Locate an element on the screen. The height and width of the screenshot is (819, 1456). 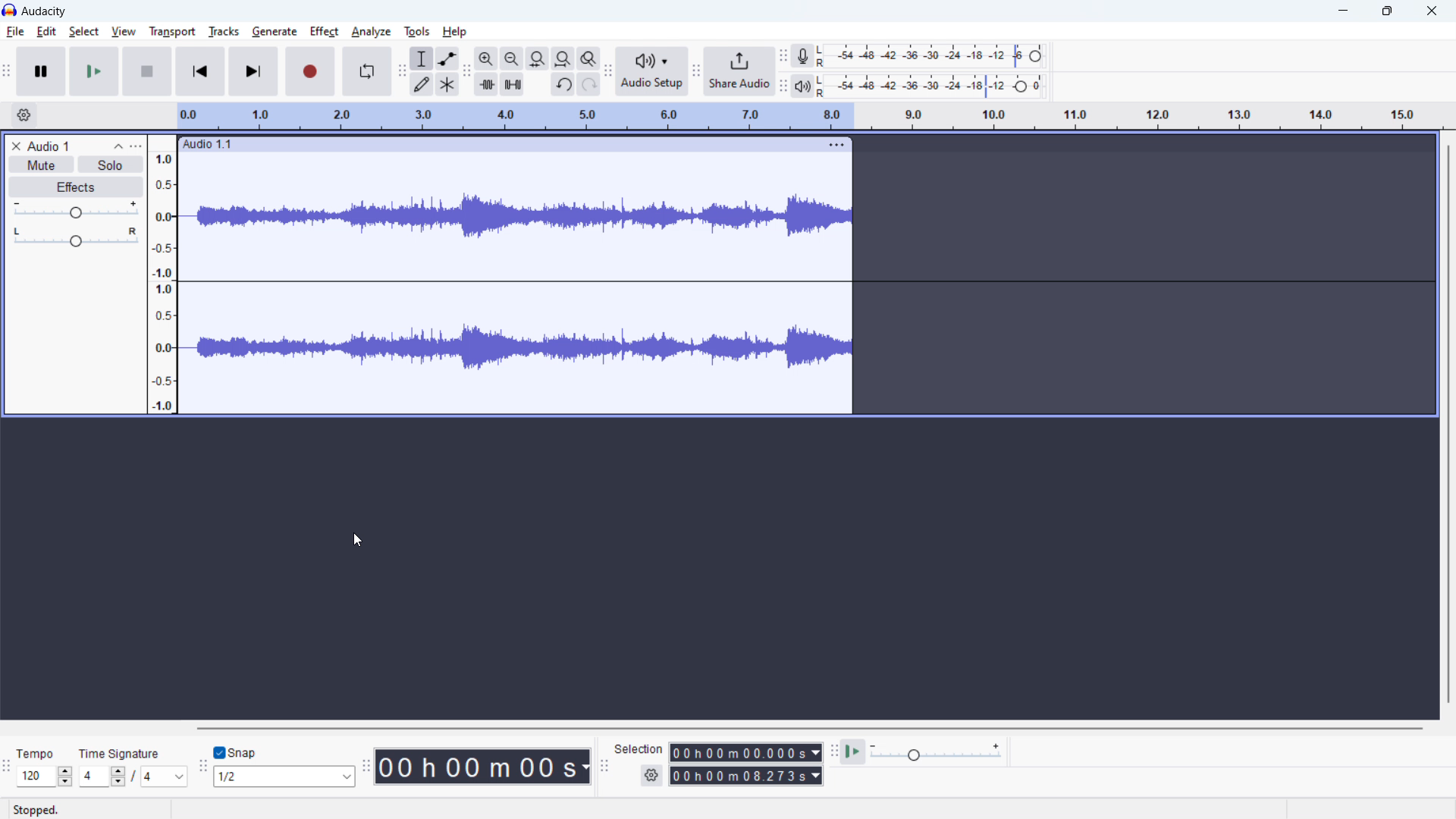
selection toolbar is located at coordinates (604, 764).